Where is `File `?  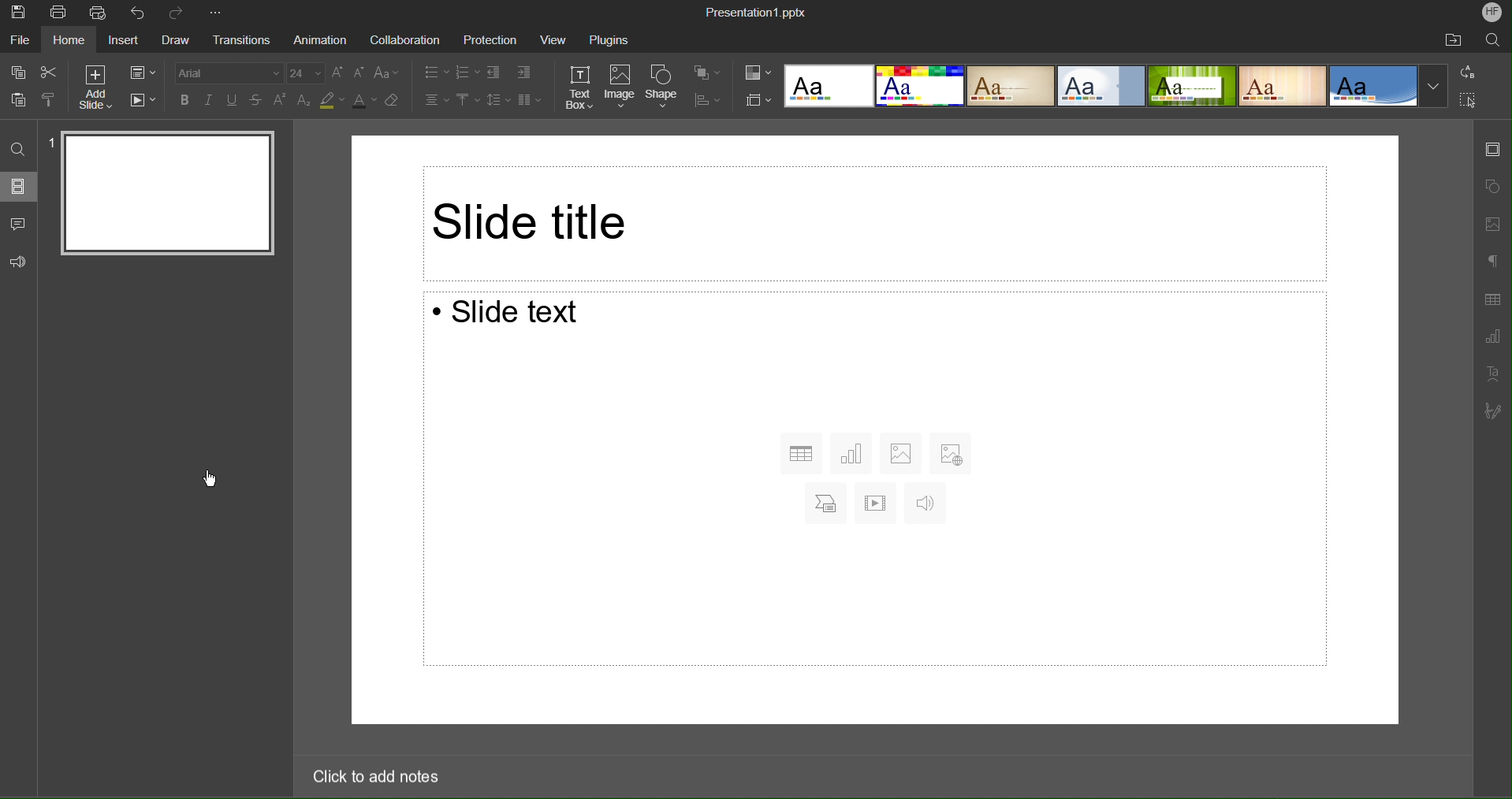
File  is located at coordinates (22, 40).